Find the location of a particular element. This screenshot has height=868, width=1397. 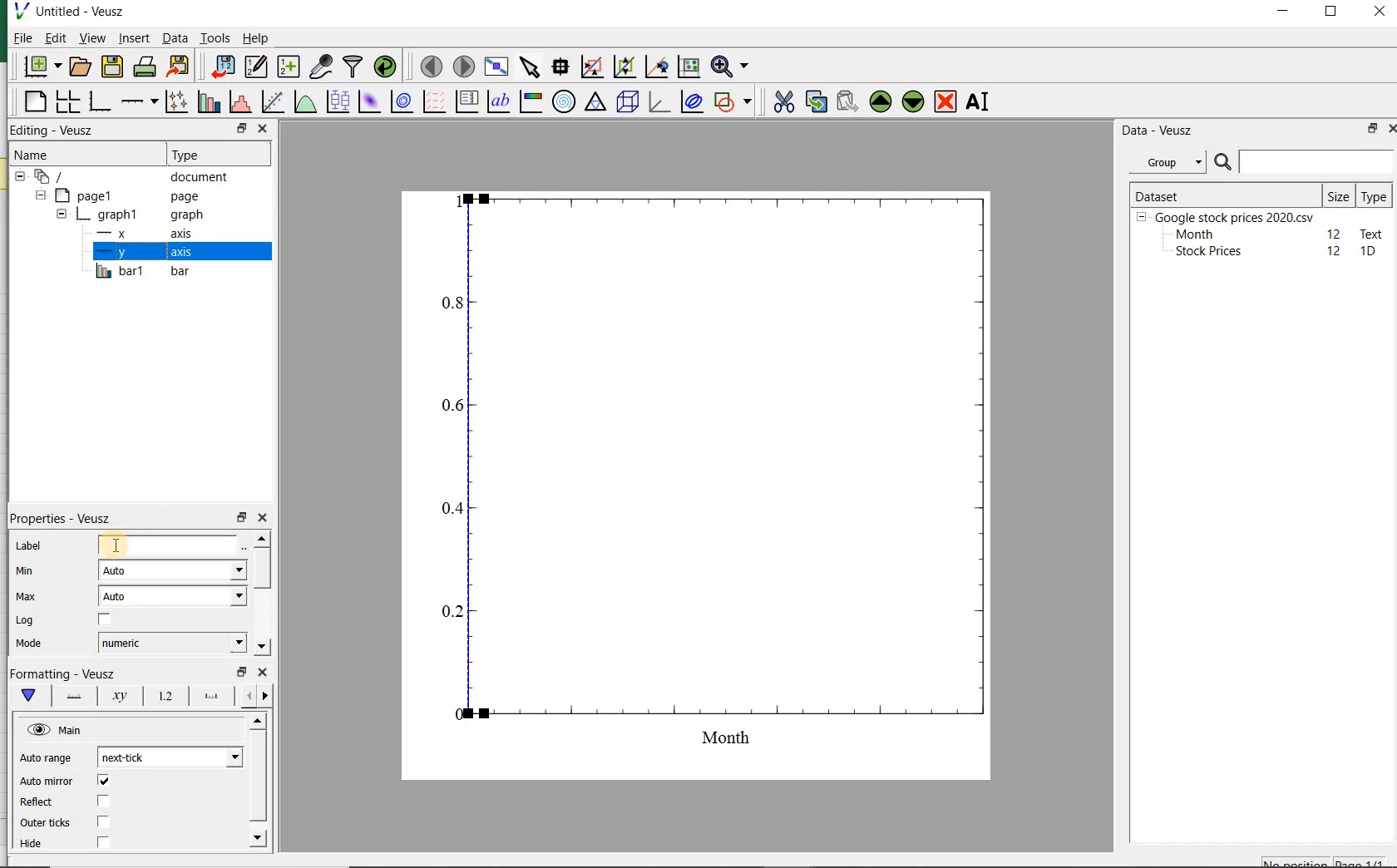

y-axis is located at coordinates (141, 253).